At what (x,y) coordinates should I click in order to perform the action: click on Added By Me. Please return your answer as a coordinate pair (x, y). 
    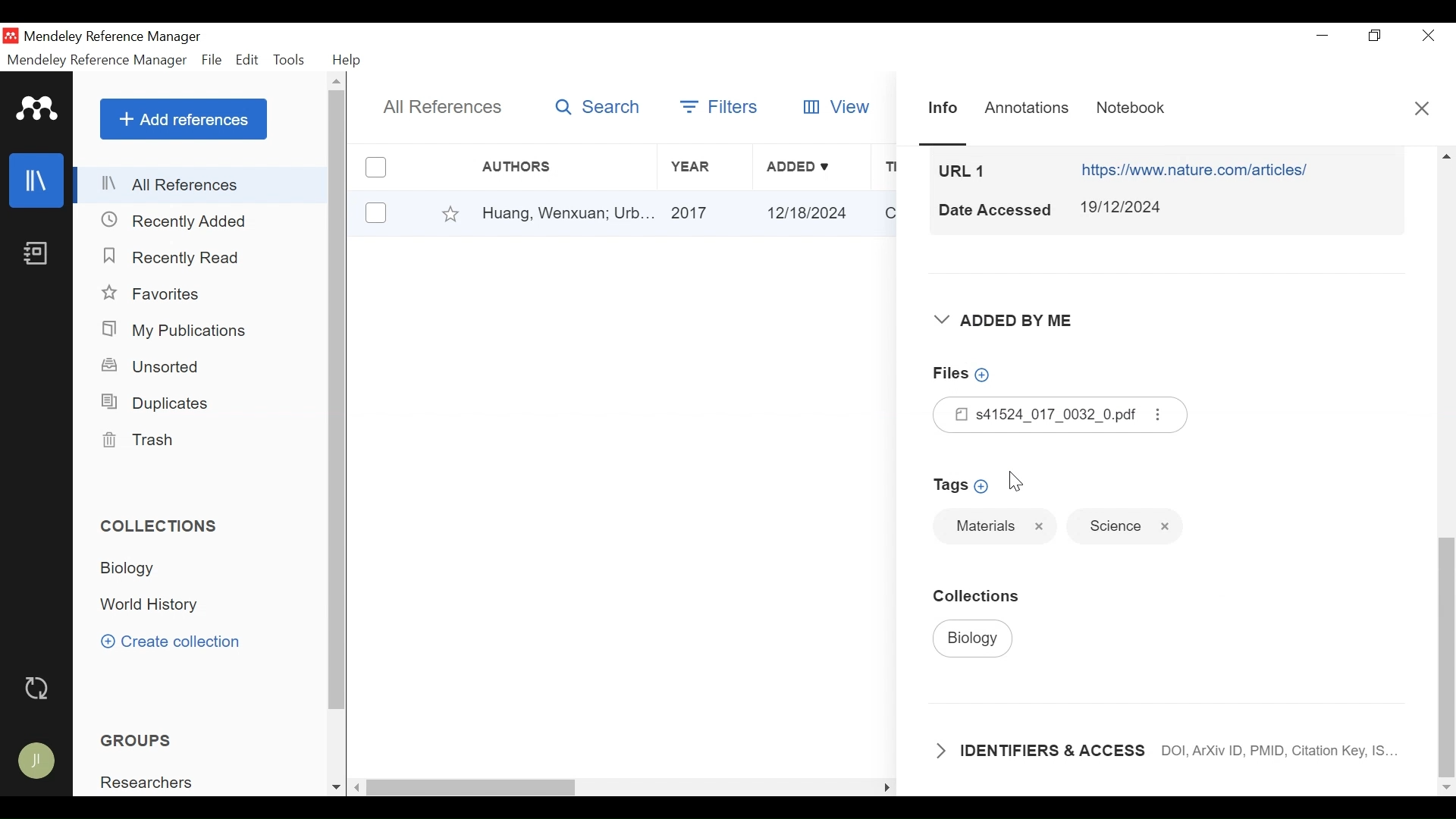
    Looking at the image, I should click on (1003, 322).